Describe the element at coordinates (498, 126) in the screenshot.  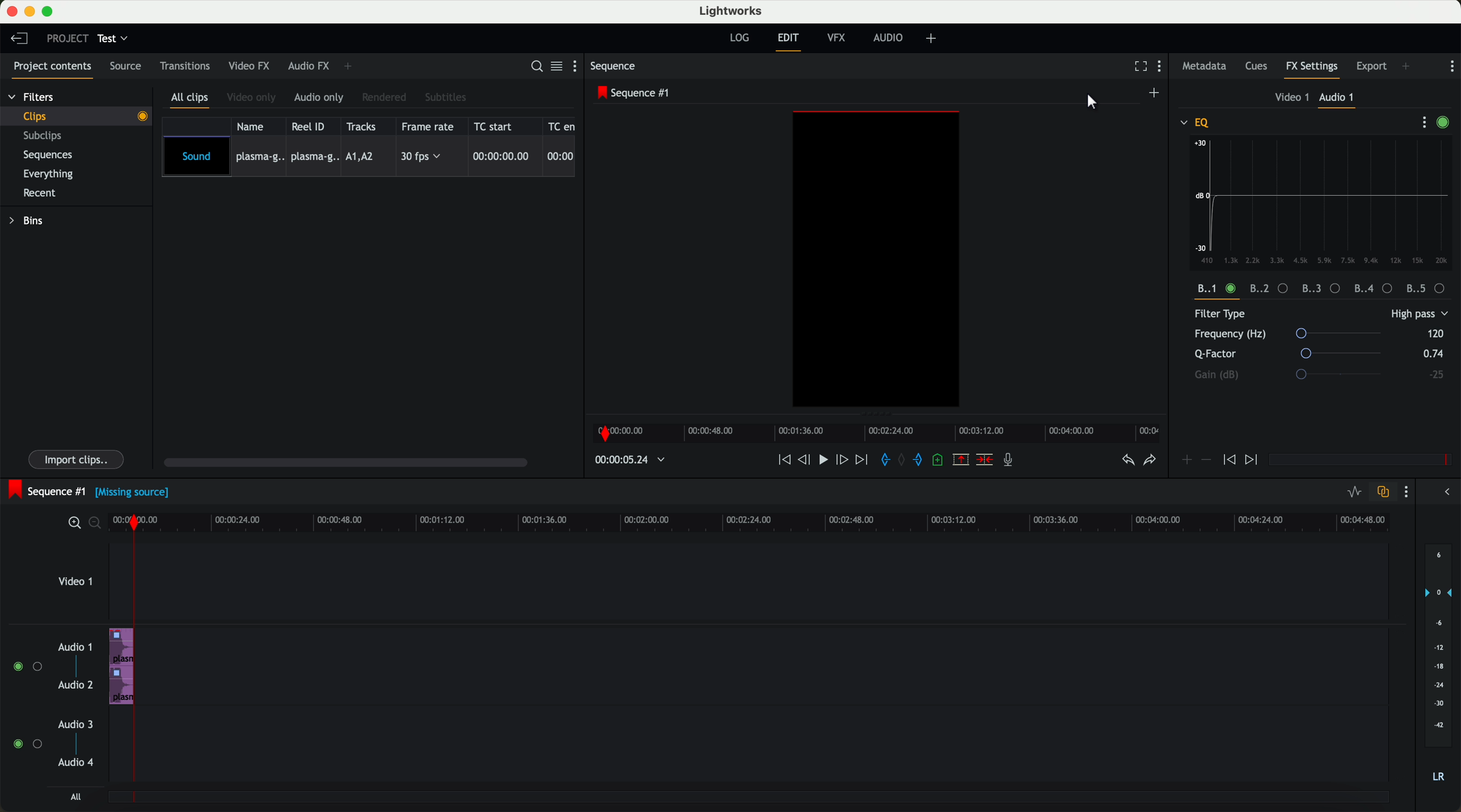
I see `TC start` at that location.